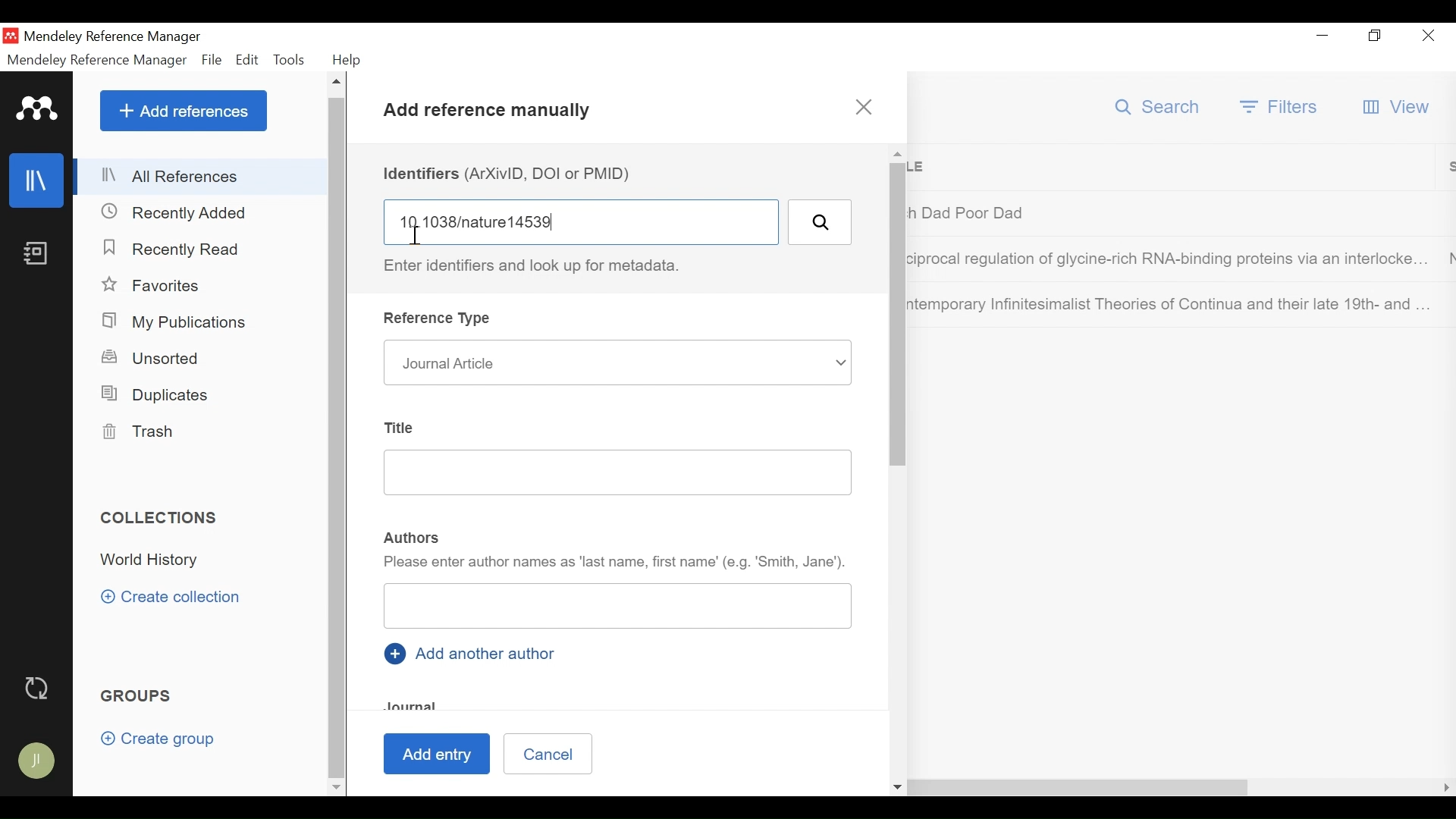  Describe the element at coordinates (615, 565) in the screenshot. I see `Please enter author names as "last name, first name' (e.g. "Smith, Jane').` at that location.